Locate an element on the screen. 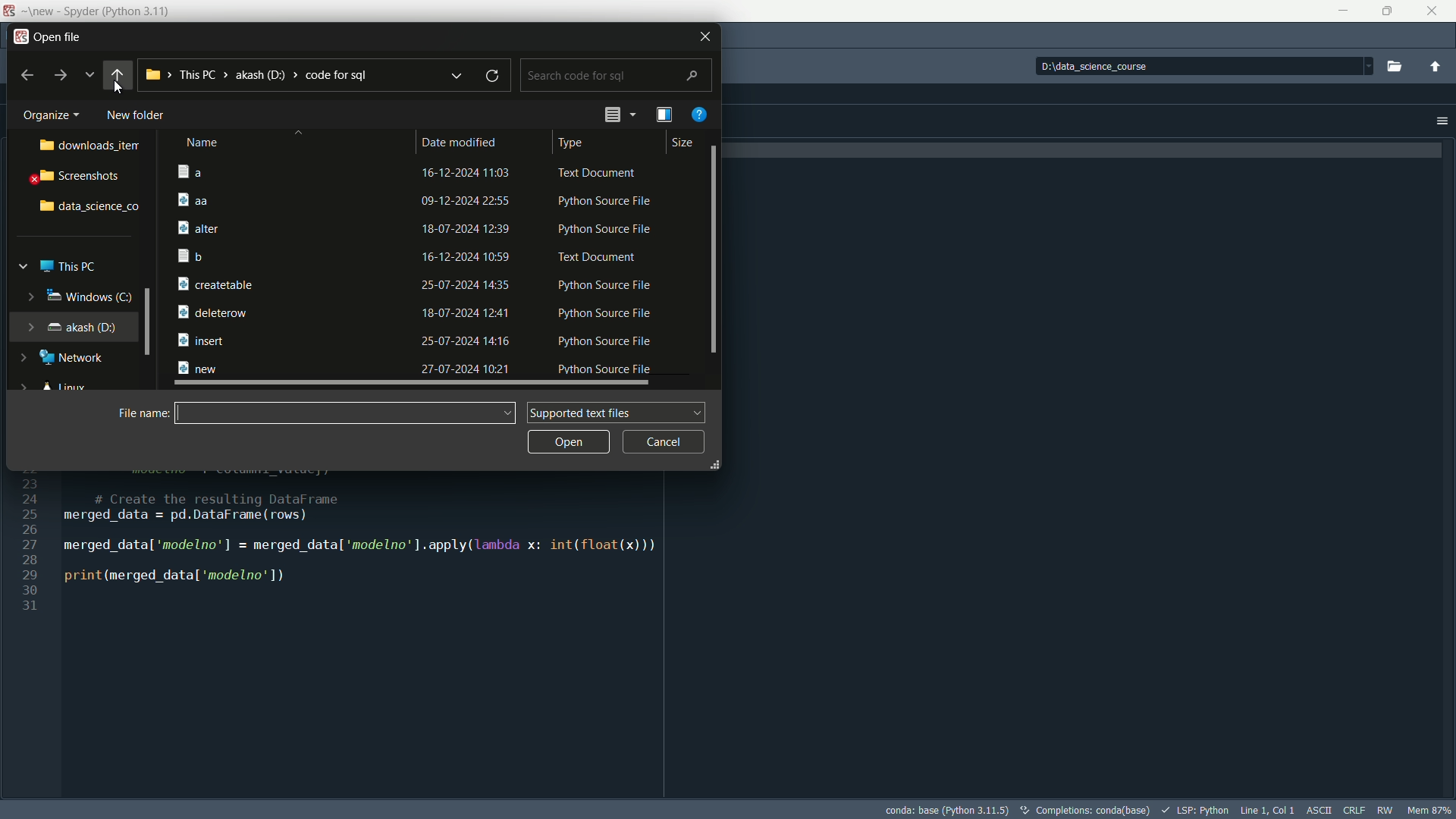 Image resolution: width=1456 pixels, height=819 pixels. his PC > akash (D) > code for sql is located at coordinates (272, 72).